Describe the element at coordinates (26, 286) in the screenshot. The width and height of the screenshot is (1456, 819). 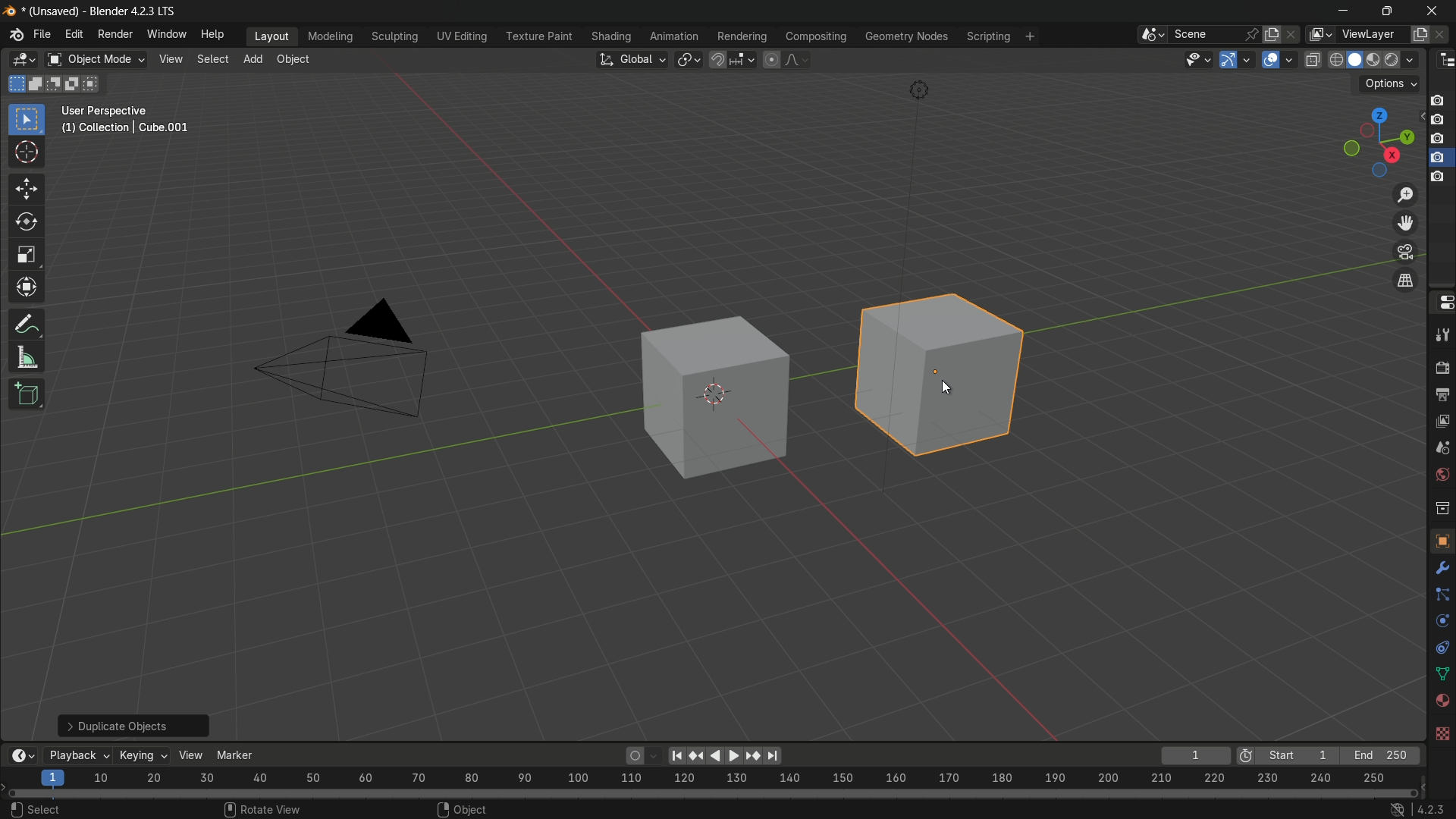
I see `transform` at that location.